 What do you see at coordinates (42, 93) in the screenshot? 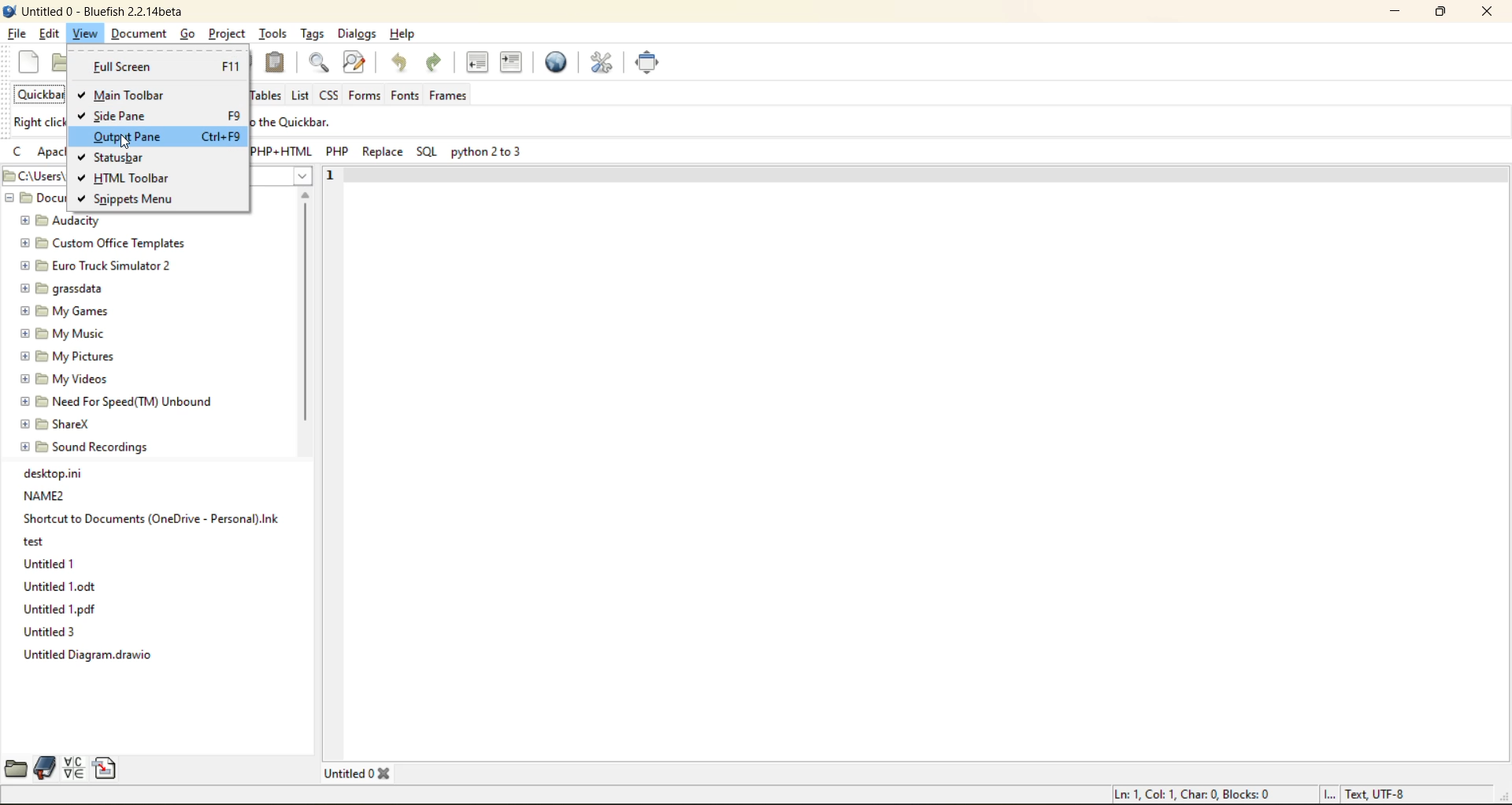
I see `quickbar` at bounding box center [42, 93].